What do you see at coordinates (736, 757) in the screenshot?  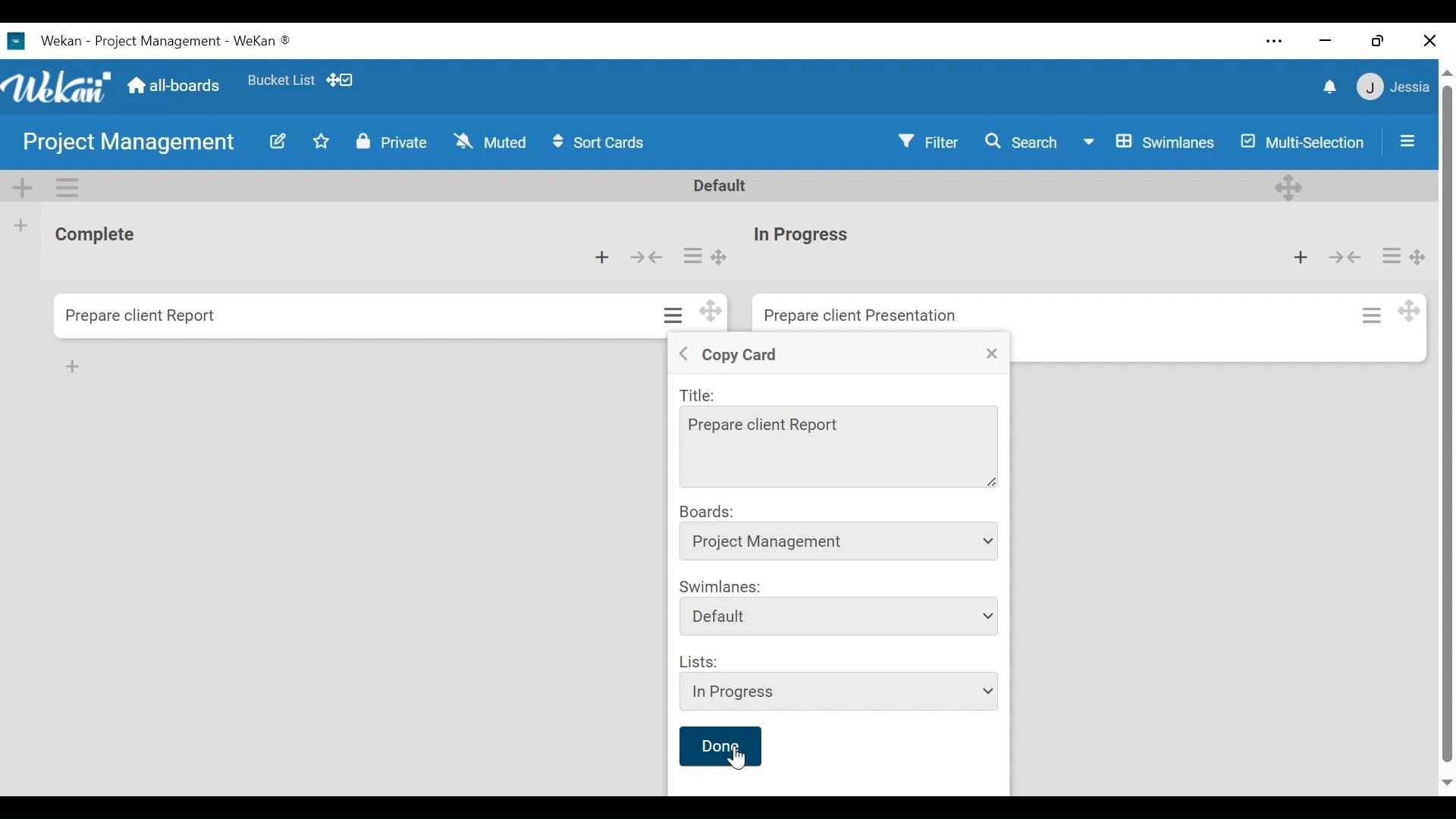 I see `Cursor` at bounding box center [736, 757].